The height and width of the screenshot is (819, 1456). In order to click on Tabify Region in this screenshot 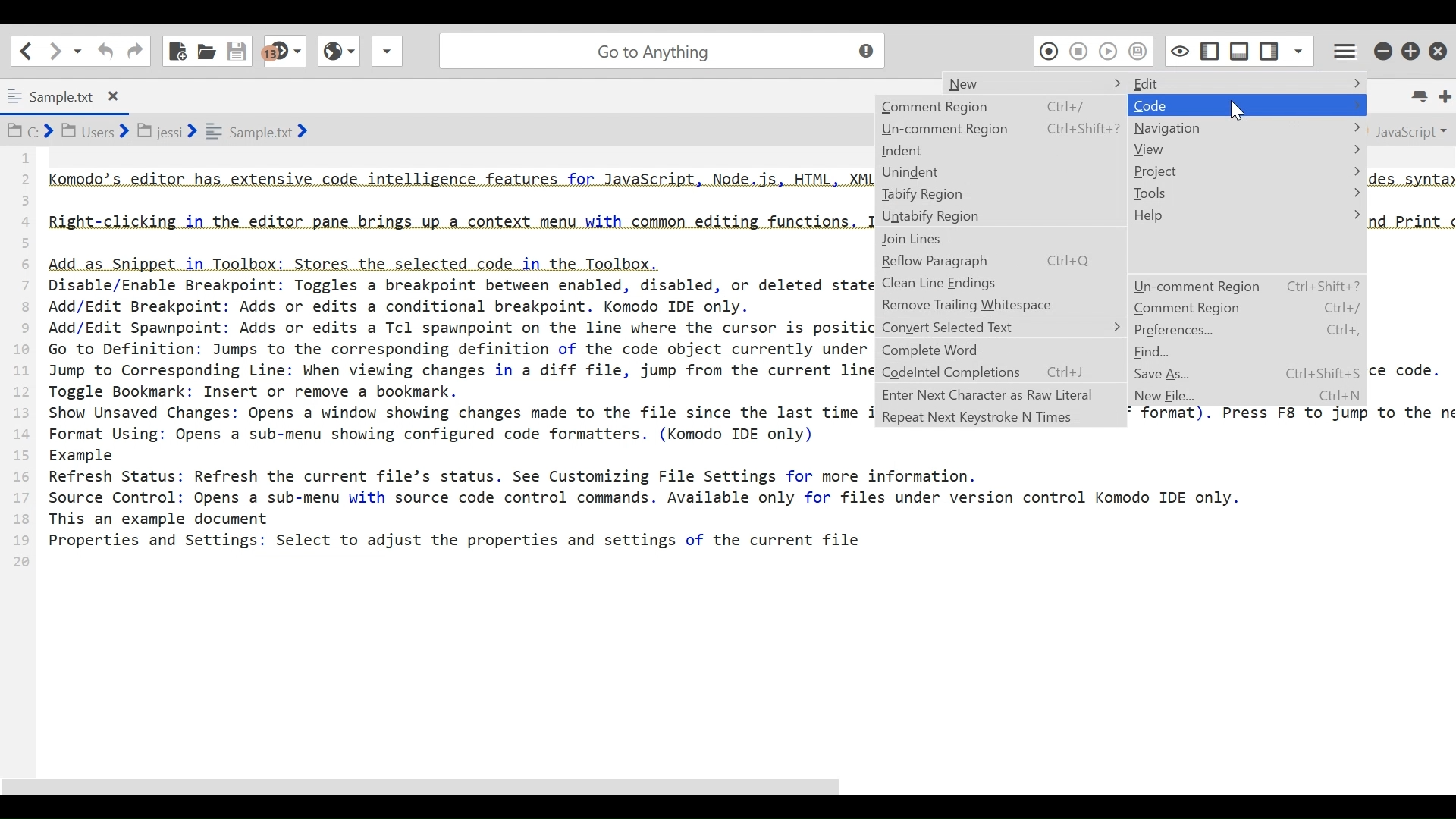, I will do `click(1000, 194)`.